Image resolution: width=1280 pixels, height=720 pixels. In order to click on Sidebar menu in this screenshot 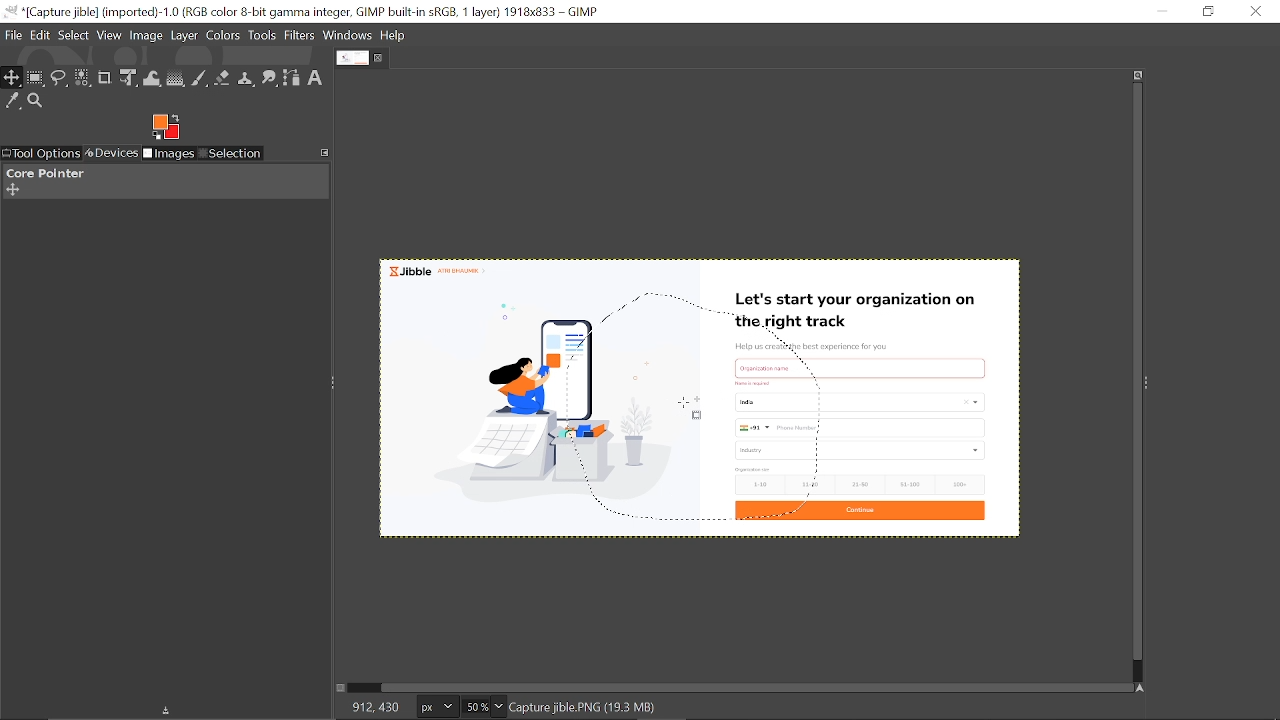, I will do `click(1151, 381)`.